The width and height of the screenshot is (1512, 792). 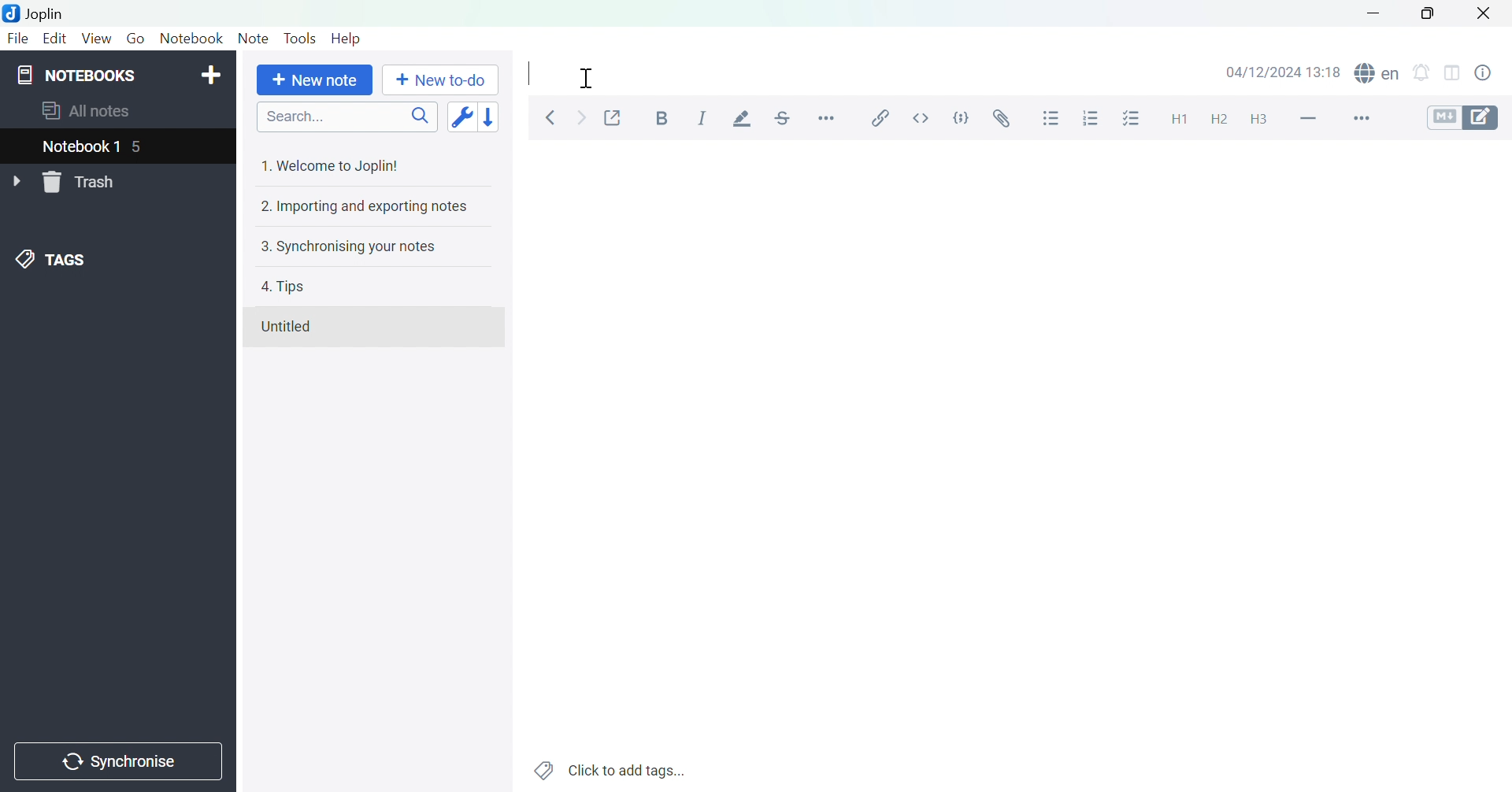 I want to click on TAGS, so click(x=54, y=258).